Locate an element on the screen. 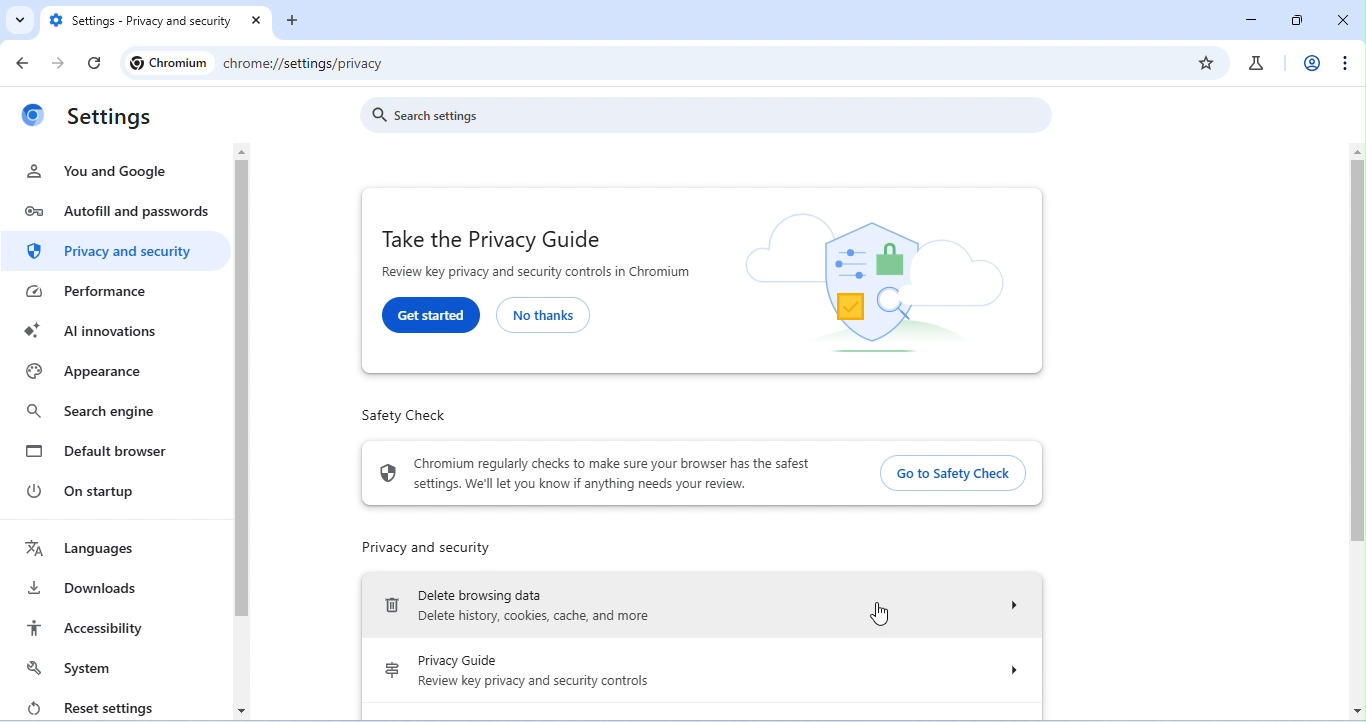  chromium is located at coordinates (168, 63).